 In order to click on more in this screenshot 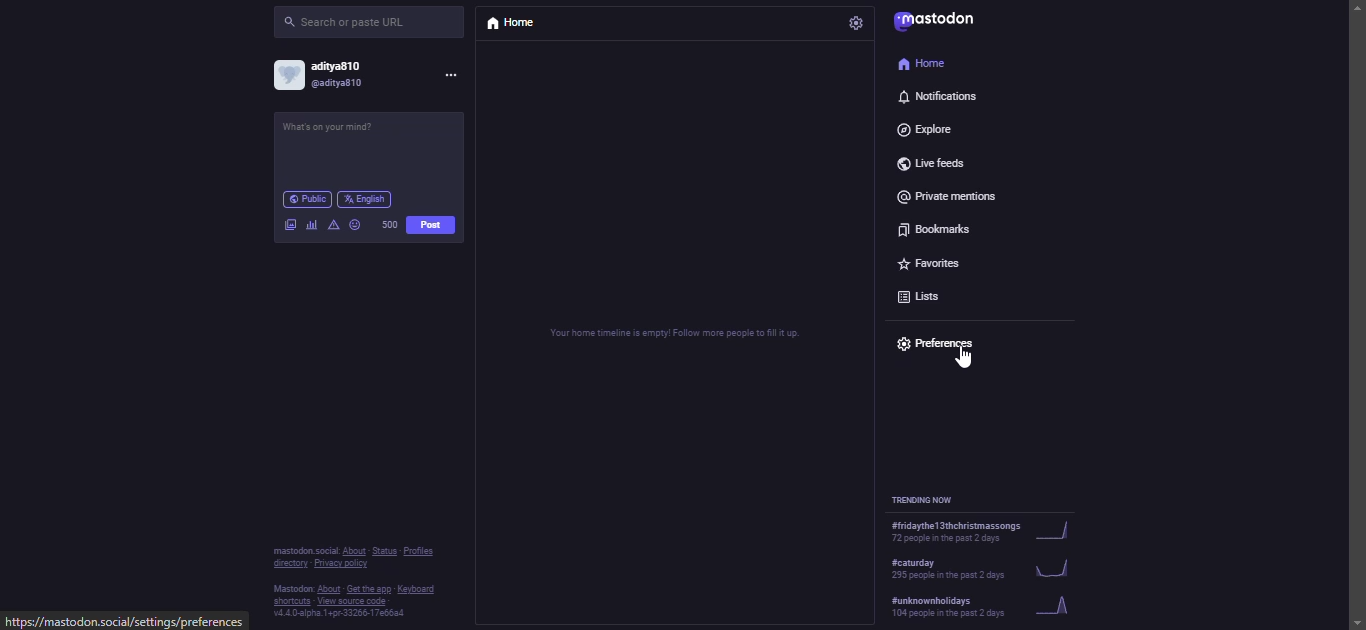, I will do `click(449, 76)`.